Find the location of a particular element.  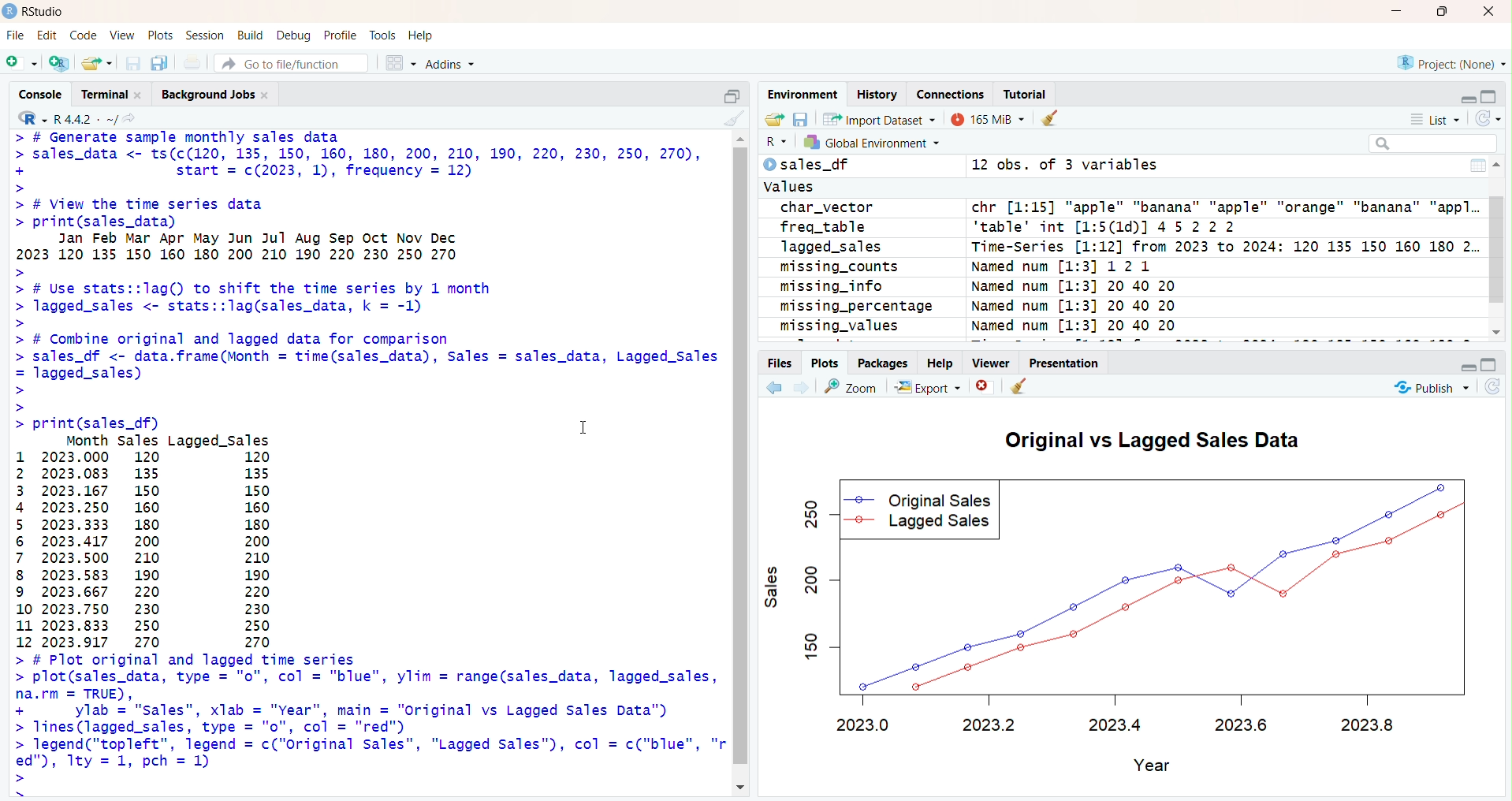

165 MB is located at coordinates (988, 117).